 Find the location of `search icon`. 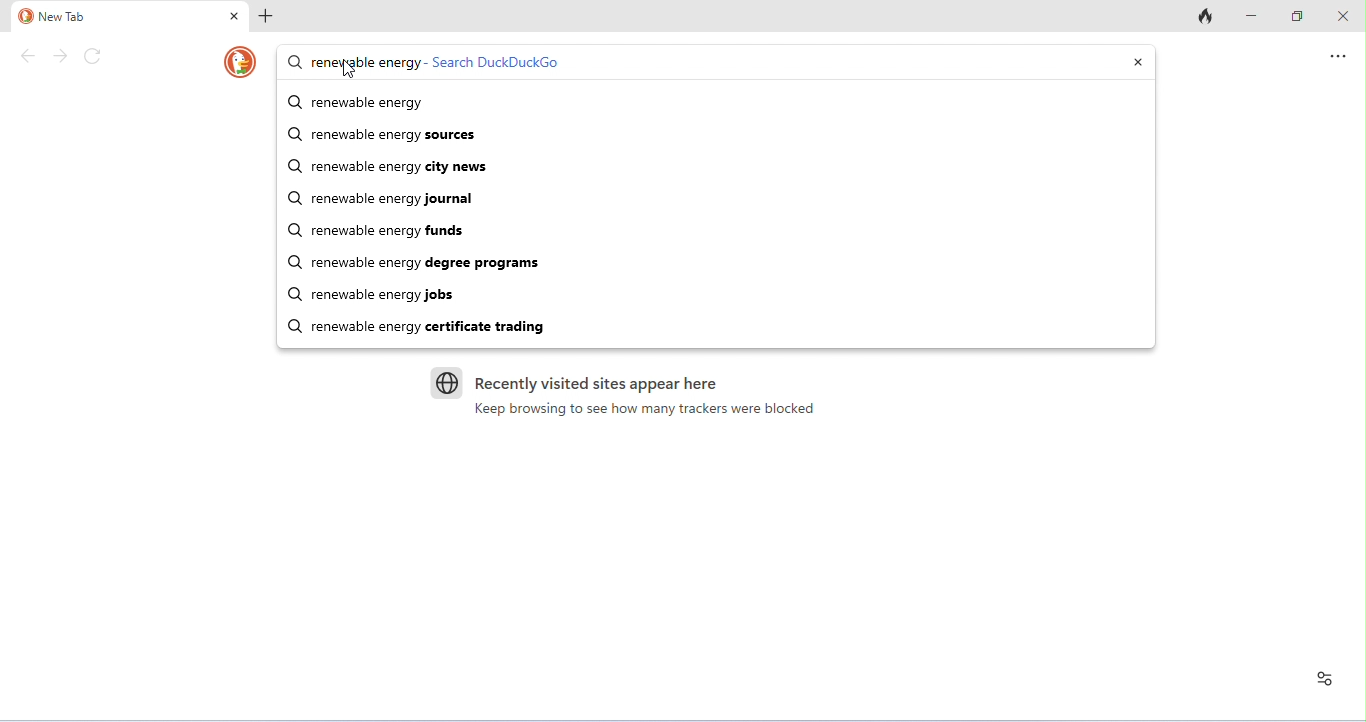

search icon is located at coordinates (291, 165).